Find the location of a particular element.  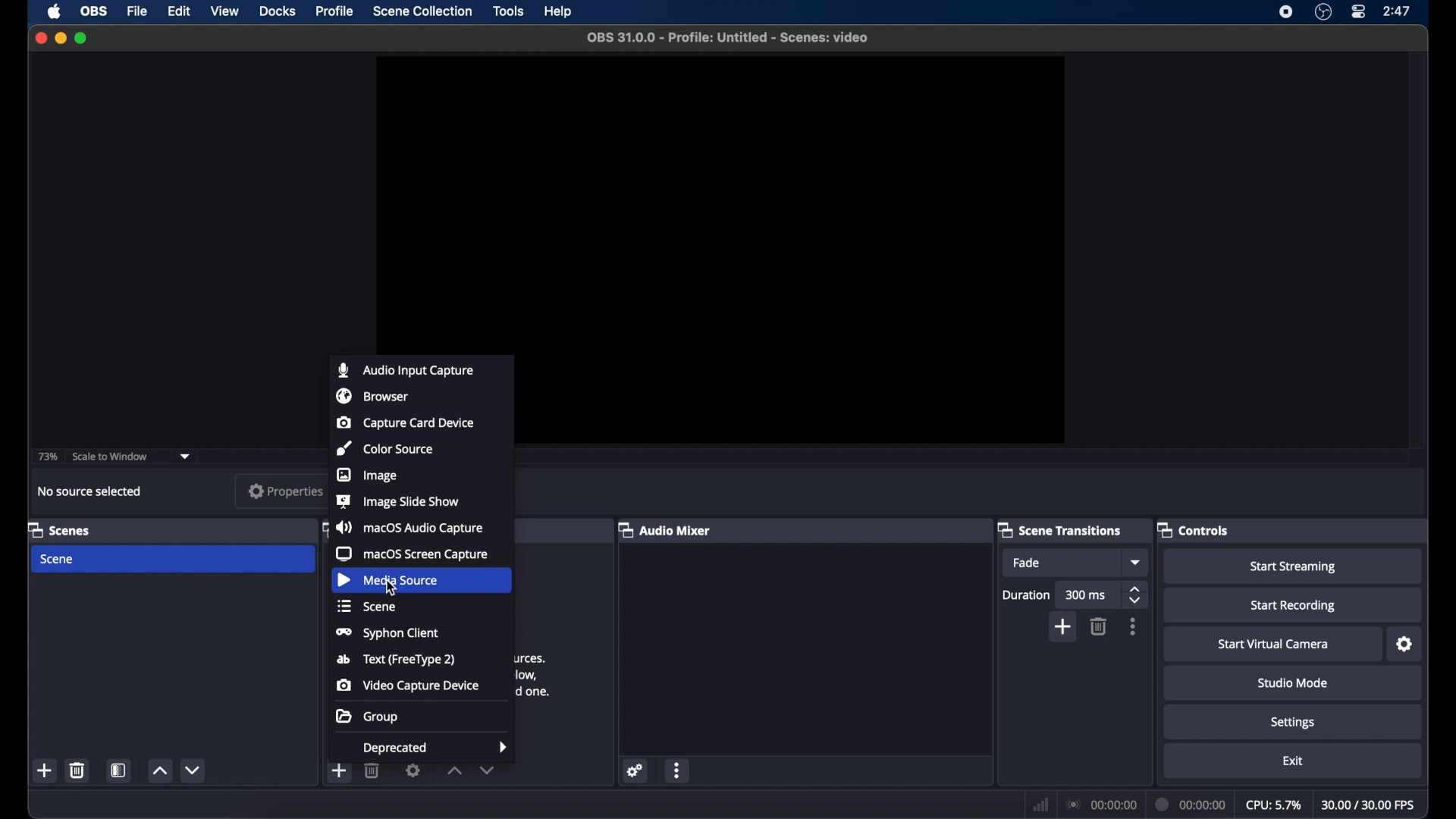

controls is located at coordinates (1194, 529).